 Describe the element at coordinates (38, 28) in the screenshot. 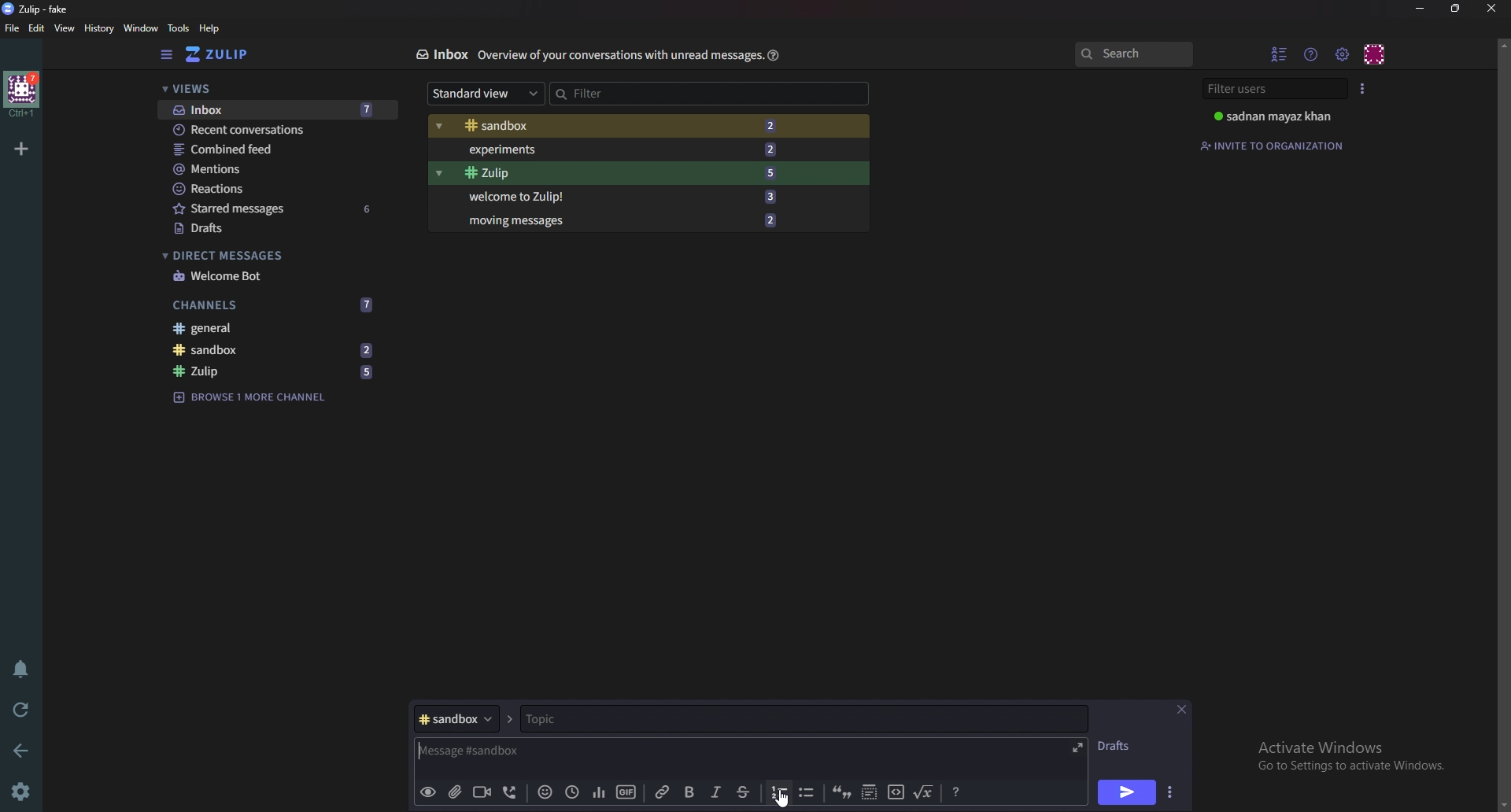

I see `Edit` at that location.